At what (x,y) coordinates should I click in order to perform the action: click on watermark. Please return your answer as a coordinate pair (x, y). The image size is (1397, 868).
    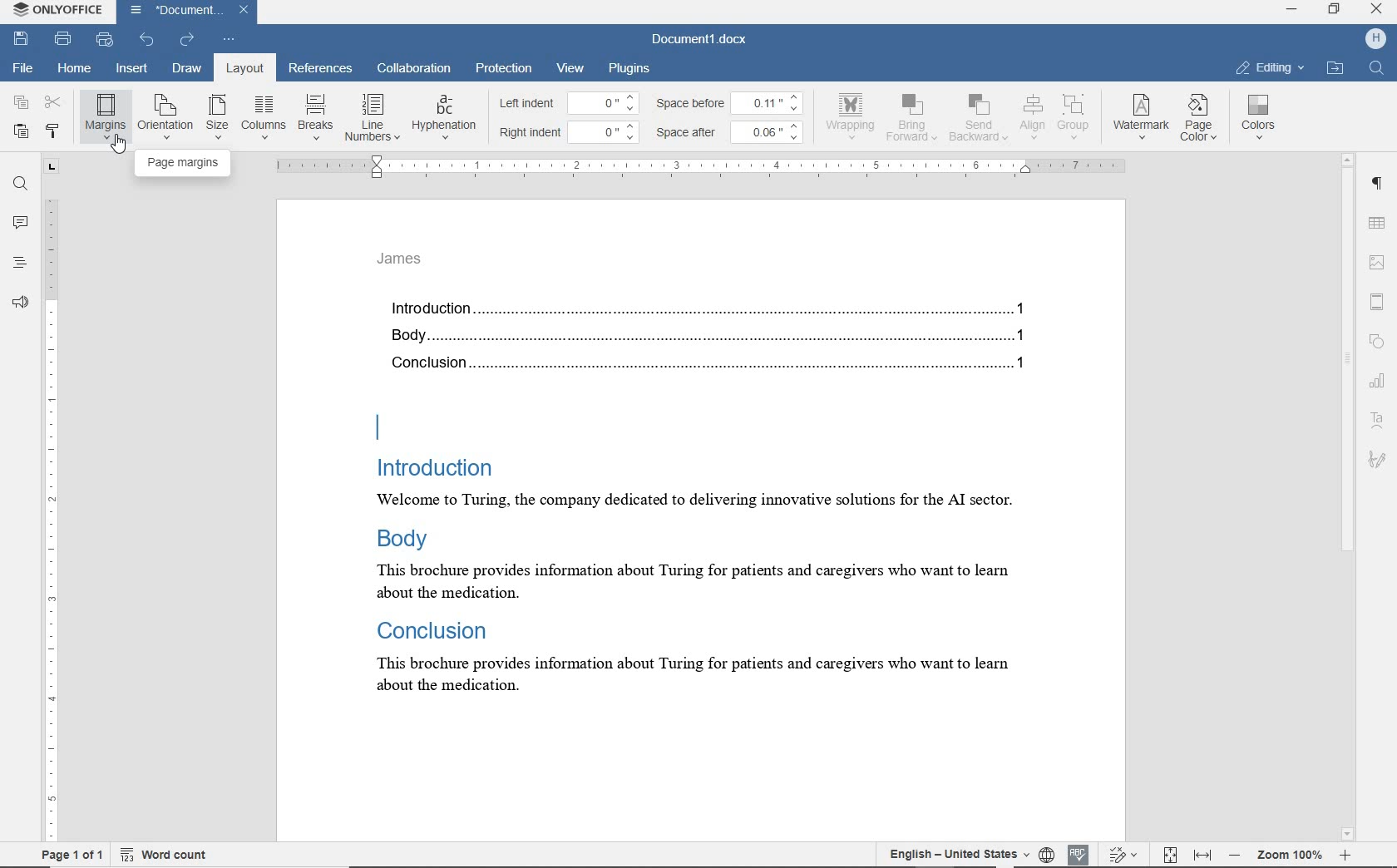
    Looking at the image, I should click on (1143, 118).